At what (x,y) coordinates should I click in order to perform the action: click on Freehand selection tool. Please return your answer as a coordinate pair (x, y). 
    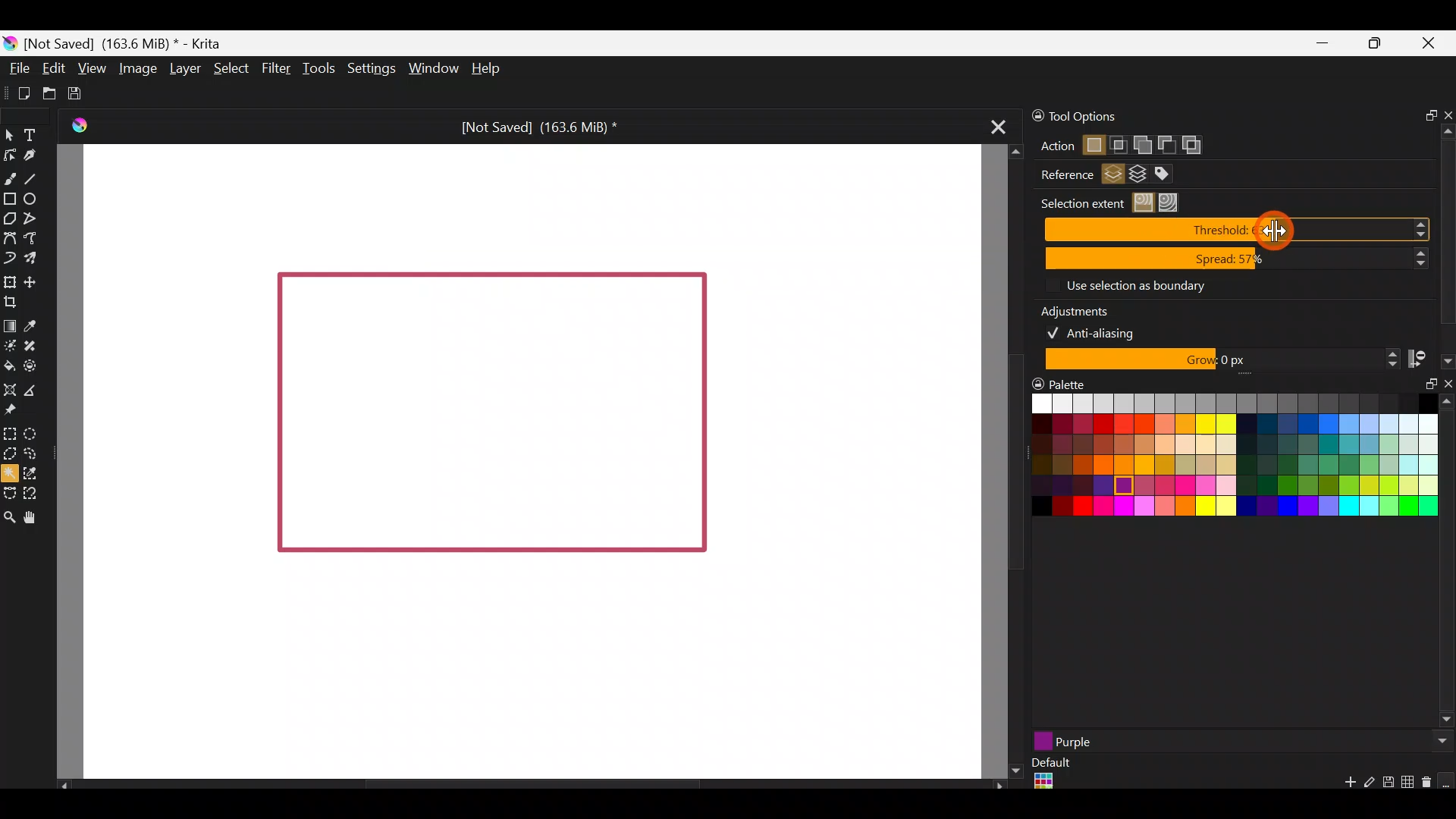
    Looking at the image, I should click on (32, 452).